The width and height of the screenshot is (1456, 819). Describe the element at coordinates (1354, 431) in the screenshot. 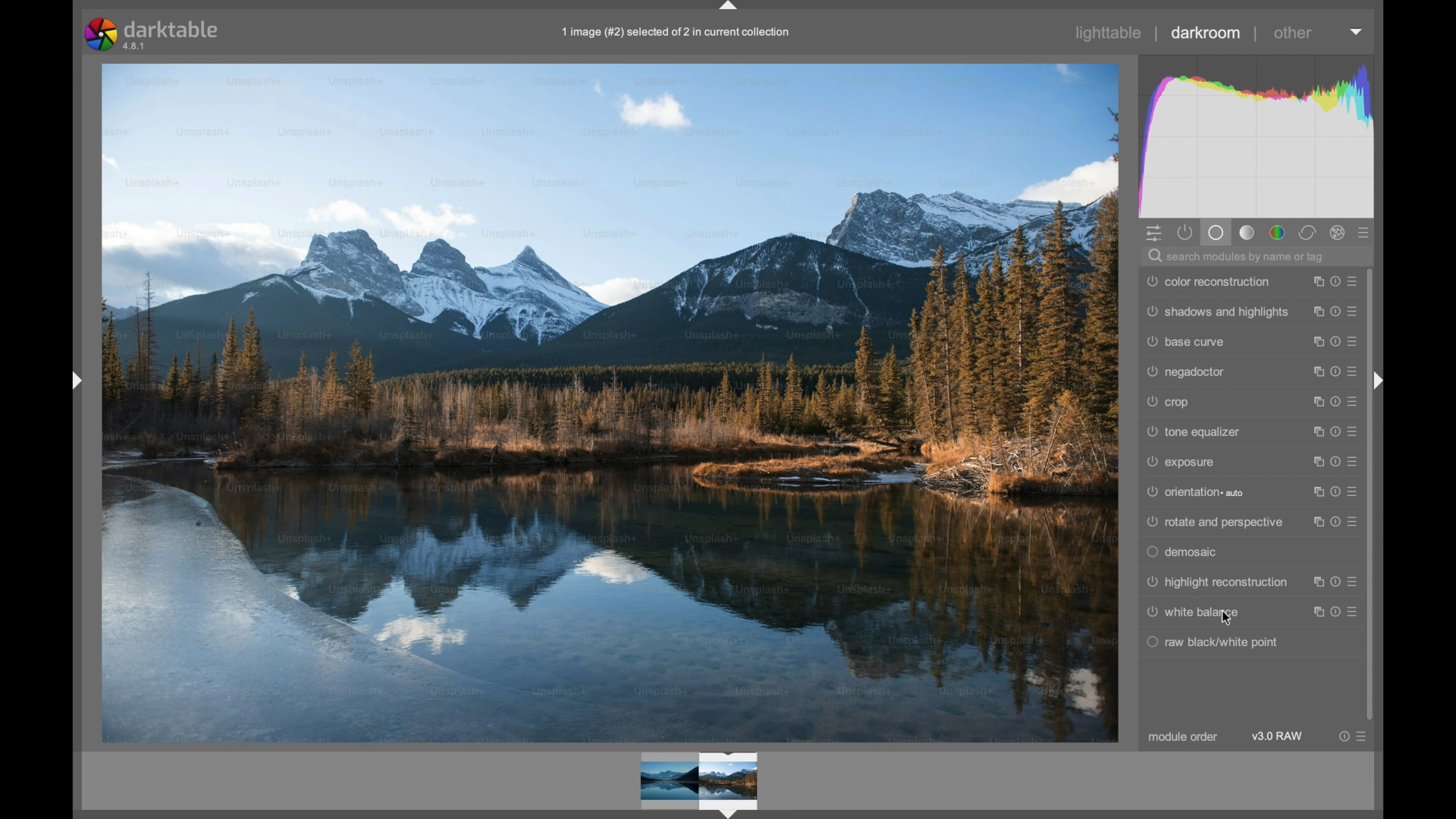

I see `presets` at that location.